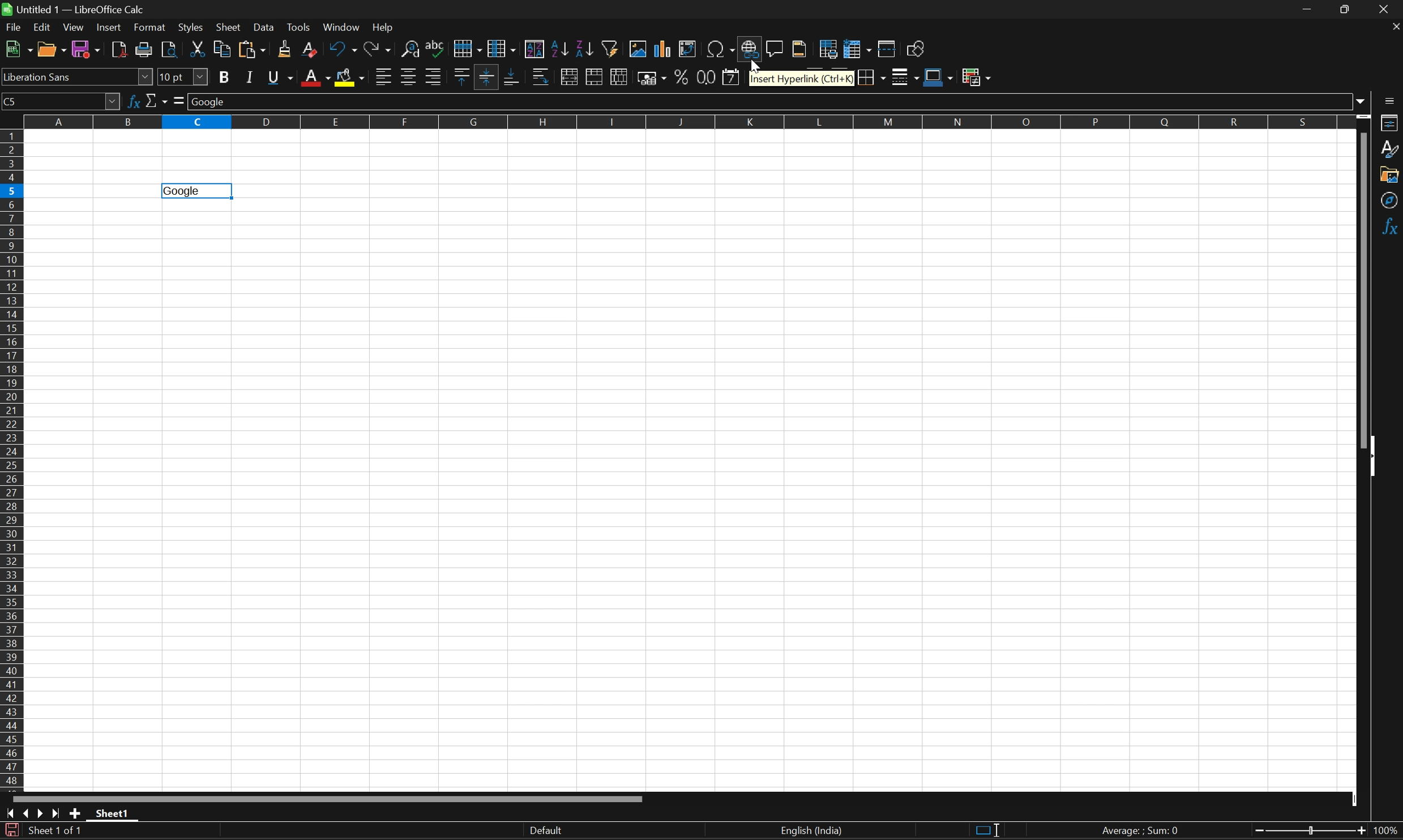 Image resolution: width=1403 pixels, height=840 pixels. What do you see at coordinates (383, 78) in the screenshot?
I see `Align left` at bounding box center [383, 78].